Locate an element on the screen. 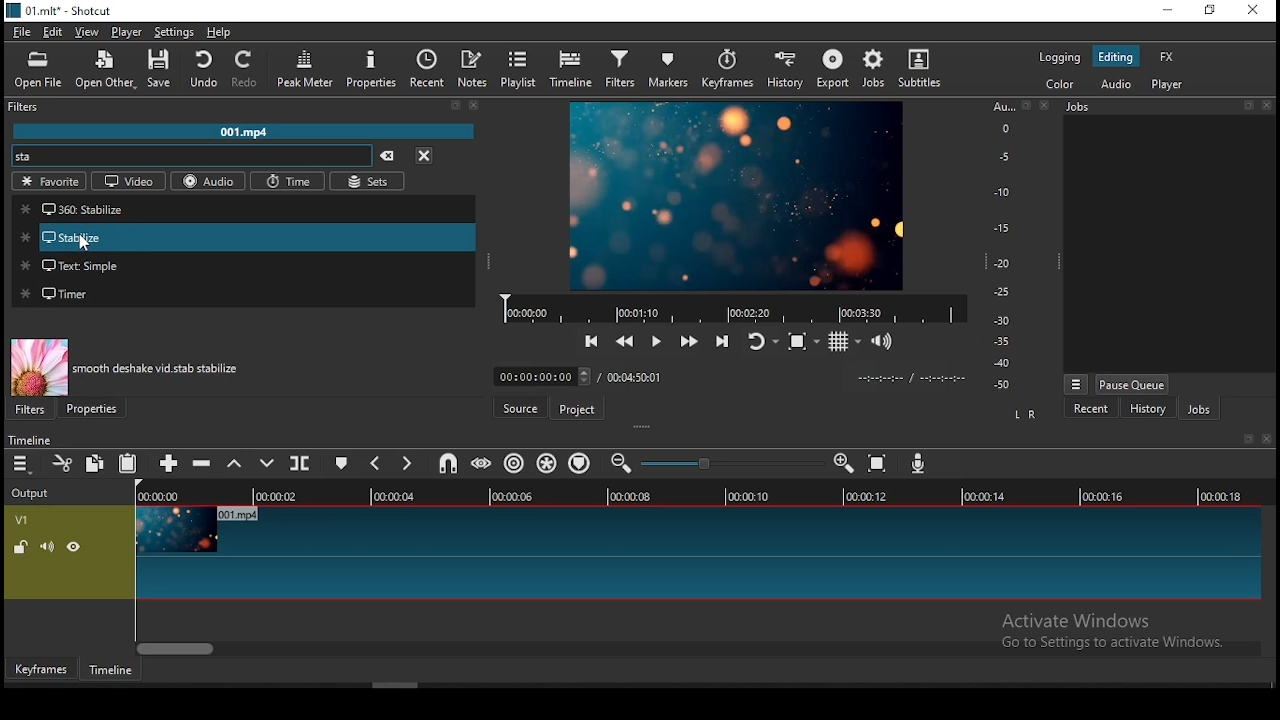 The height and width of the screenshot is (720, 1280). timeline is located at coordinates (108, 670).